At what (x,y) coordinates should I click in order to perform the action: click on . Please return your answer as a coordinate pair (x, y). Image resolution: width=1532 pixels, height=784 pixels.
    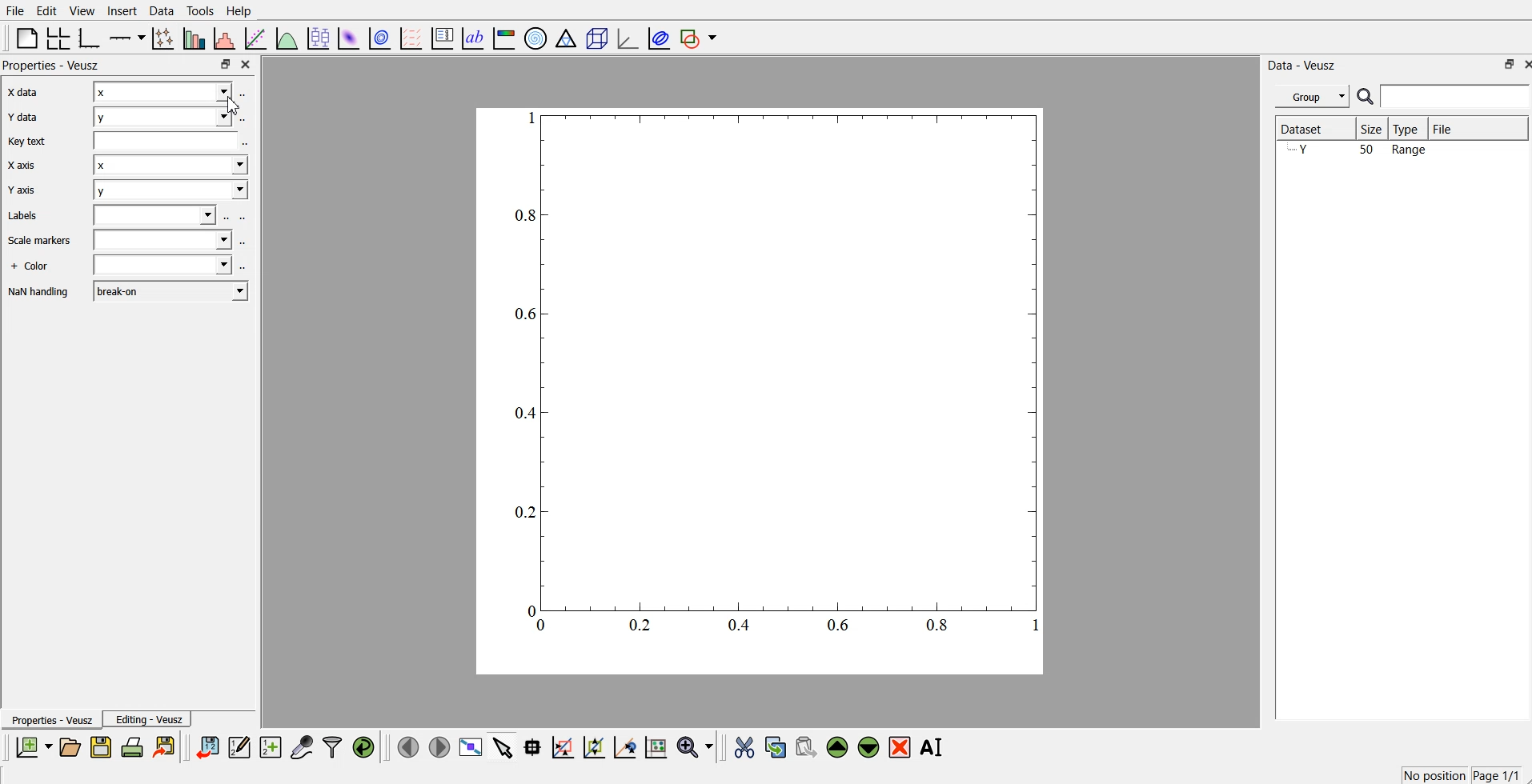
    Looking at the image, I should click on (40, 293).